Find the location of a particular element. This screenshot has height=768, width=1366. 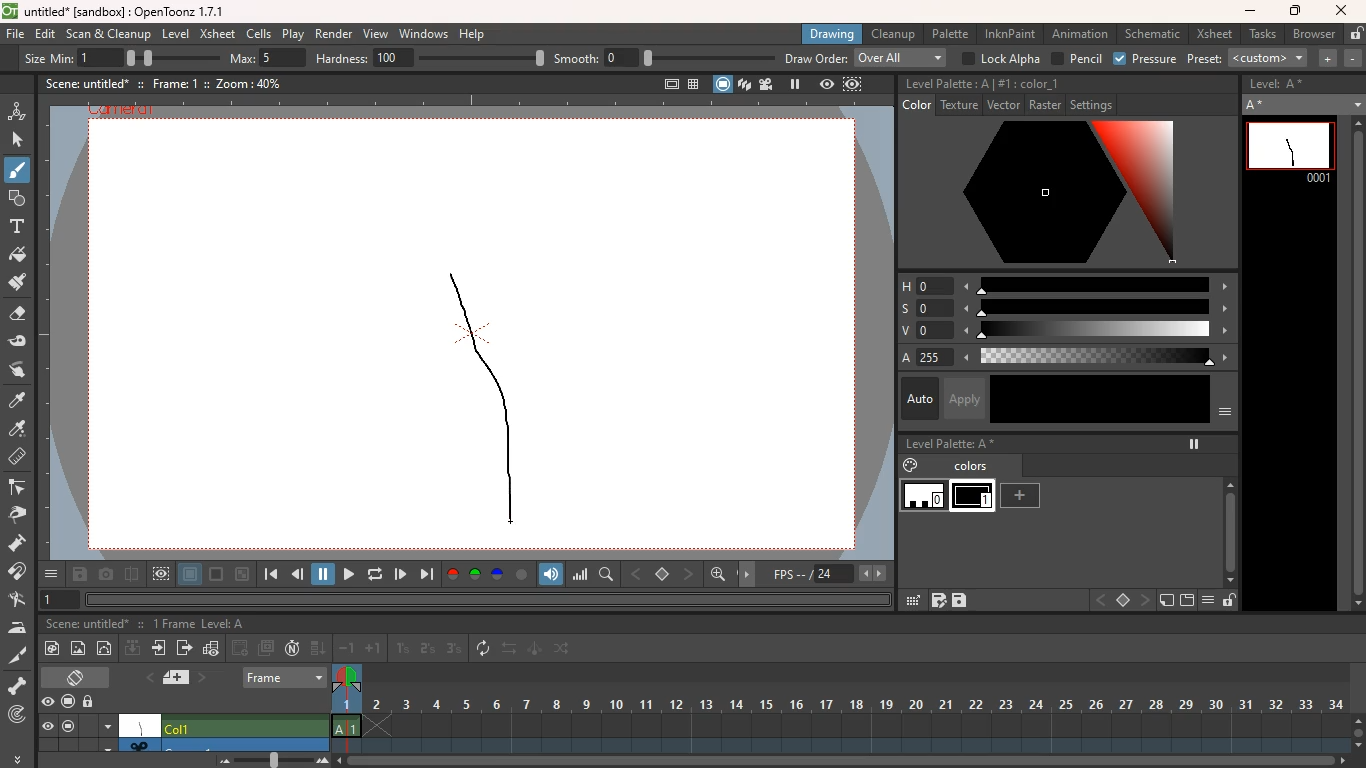

file is located at coordinates (15, 36).